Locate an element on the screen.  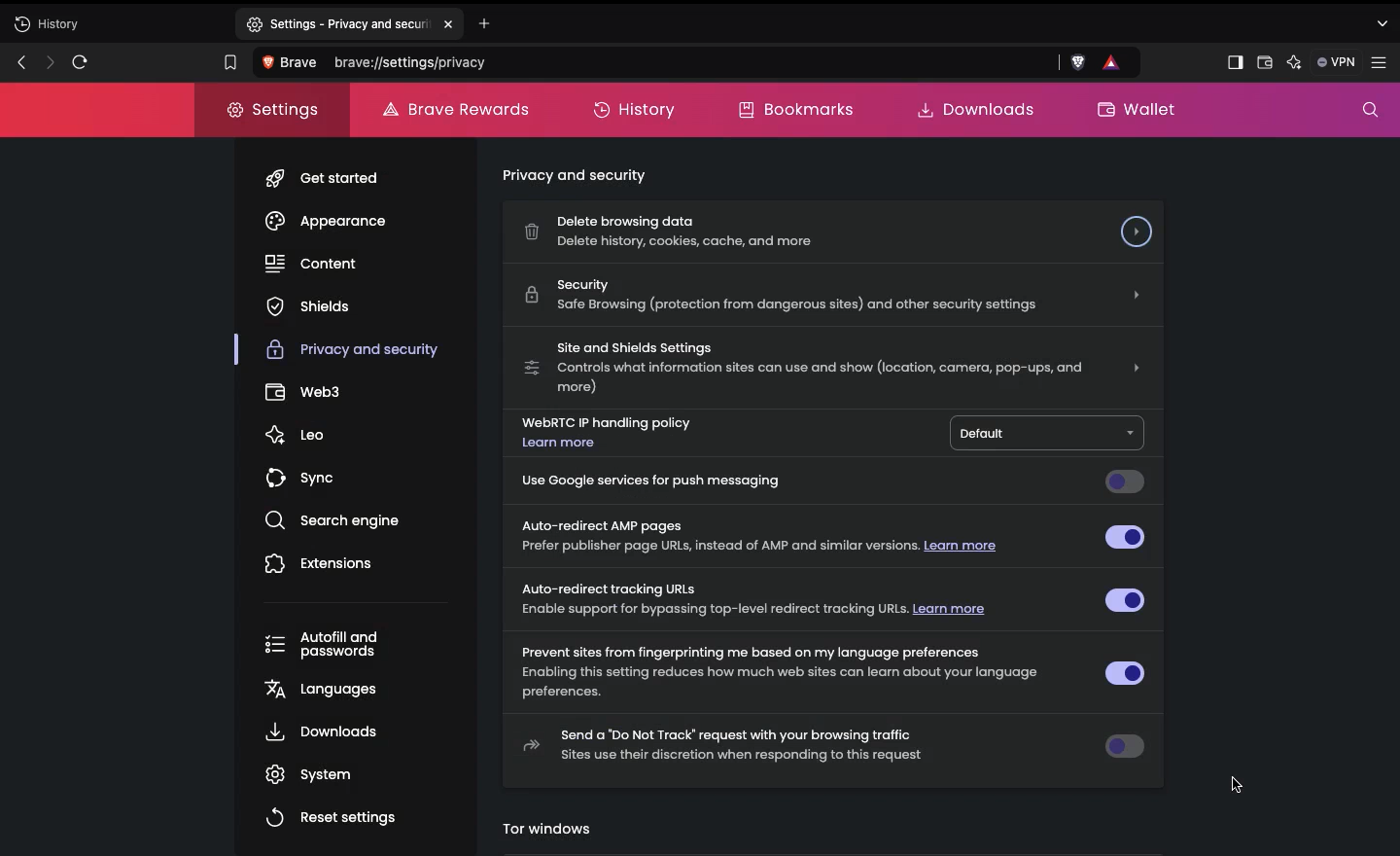
Search is located at coordinates (1365, 110).